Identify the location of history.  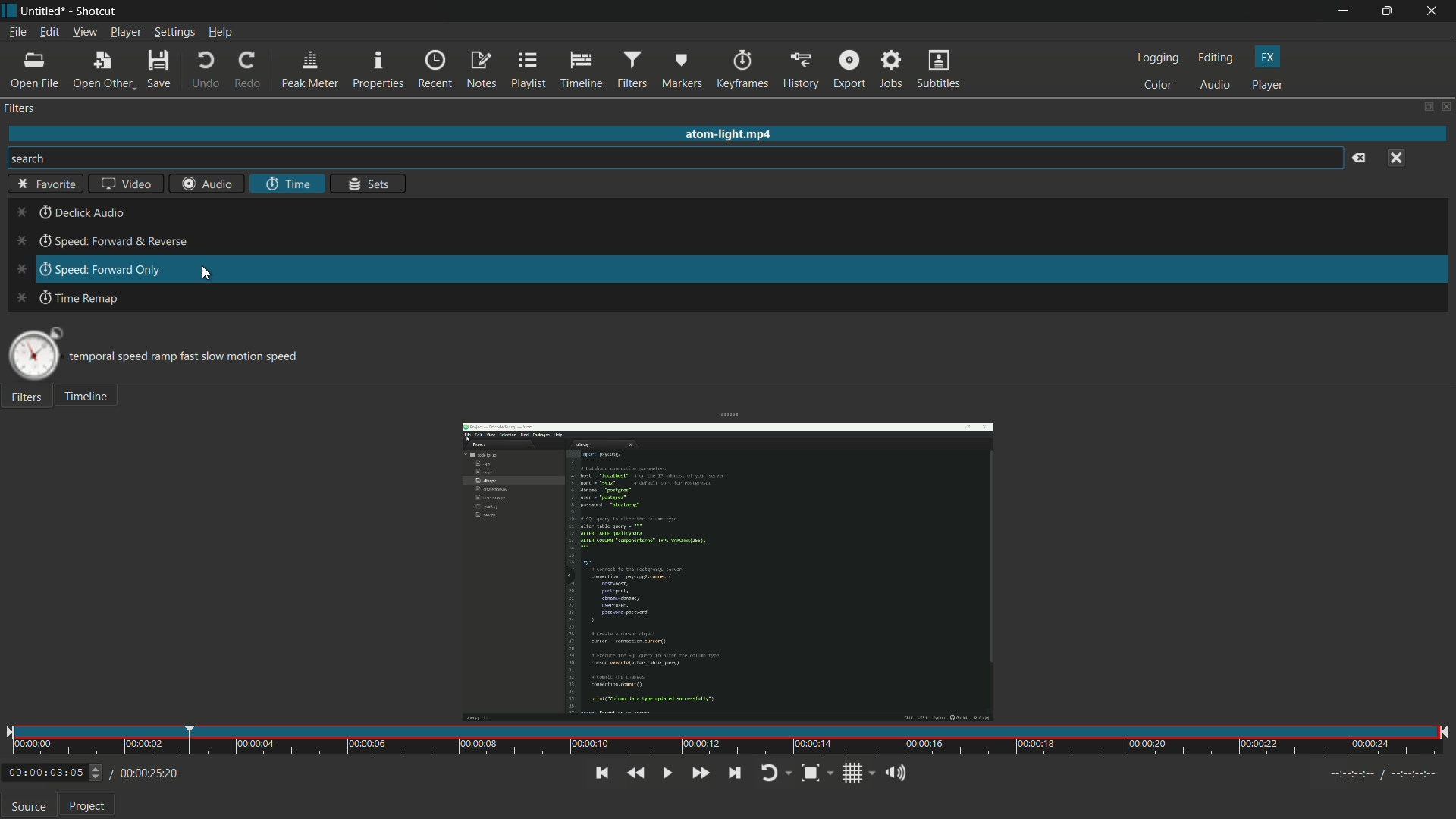
(800, 71).